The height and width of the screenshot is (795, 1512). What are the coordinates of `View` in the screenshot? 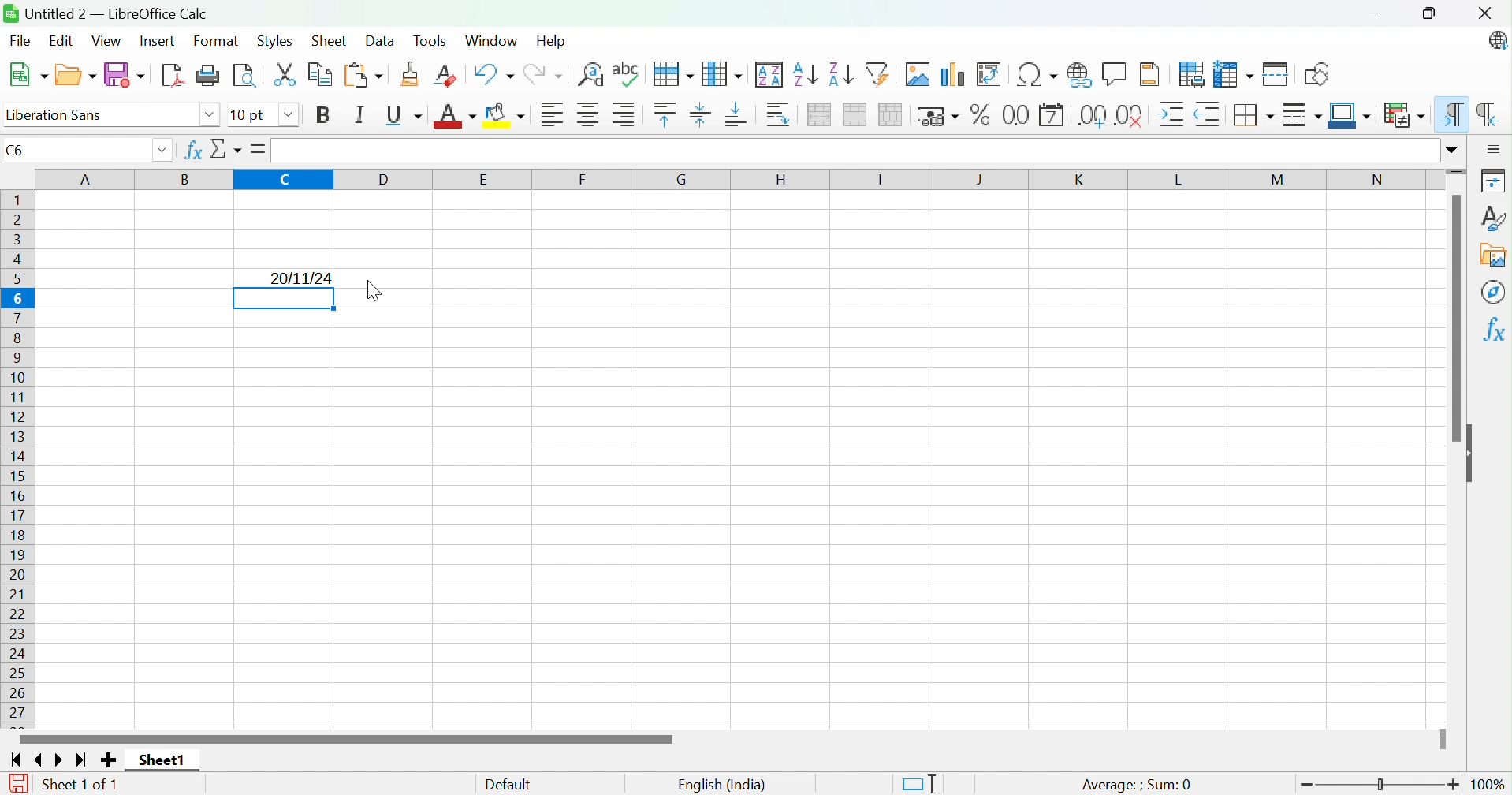 It's located at (109, 41).